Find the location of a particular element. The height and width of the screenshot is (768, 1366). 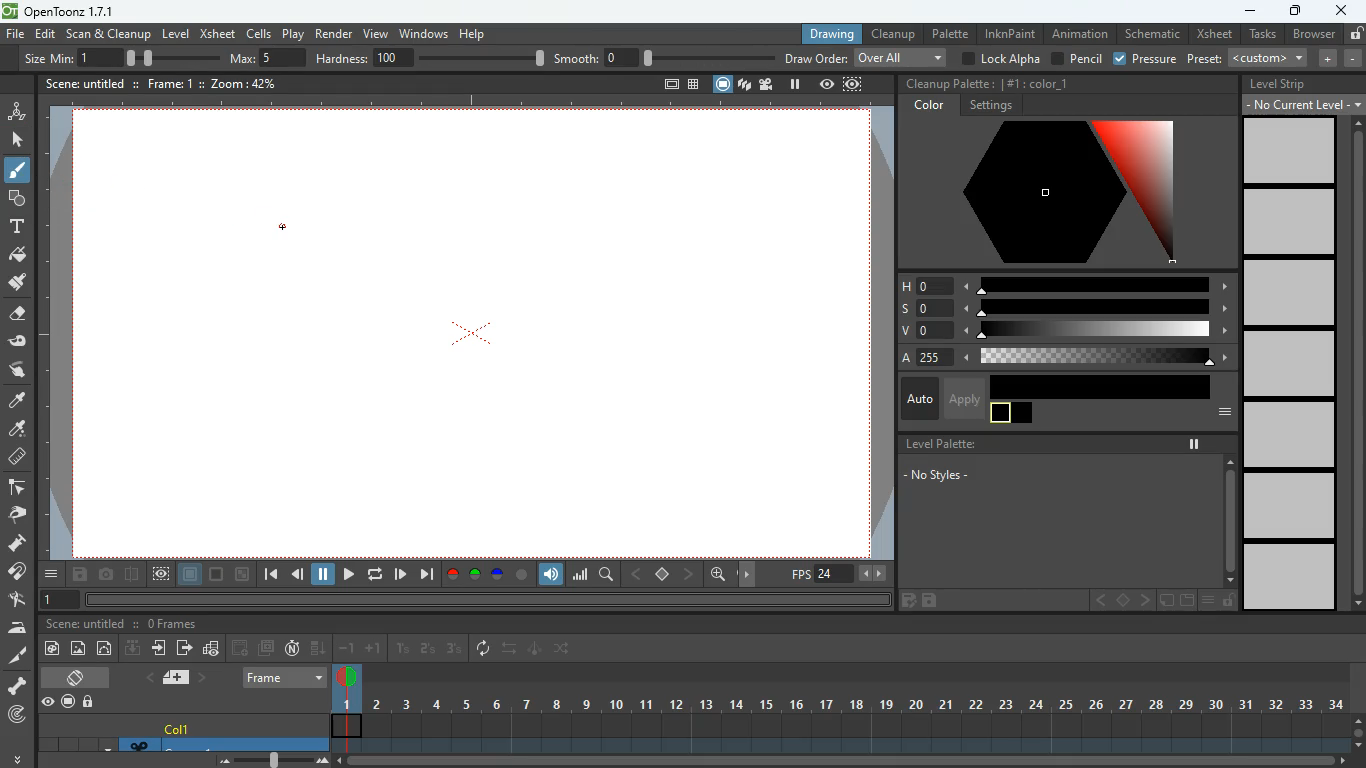

level is located at coordinates (175, 34).